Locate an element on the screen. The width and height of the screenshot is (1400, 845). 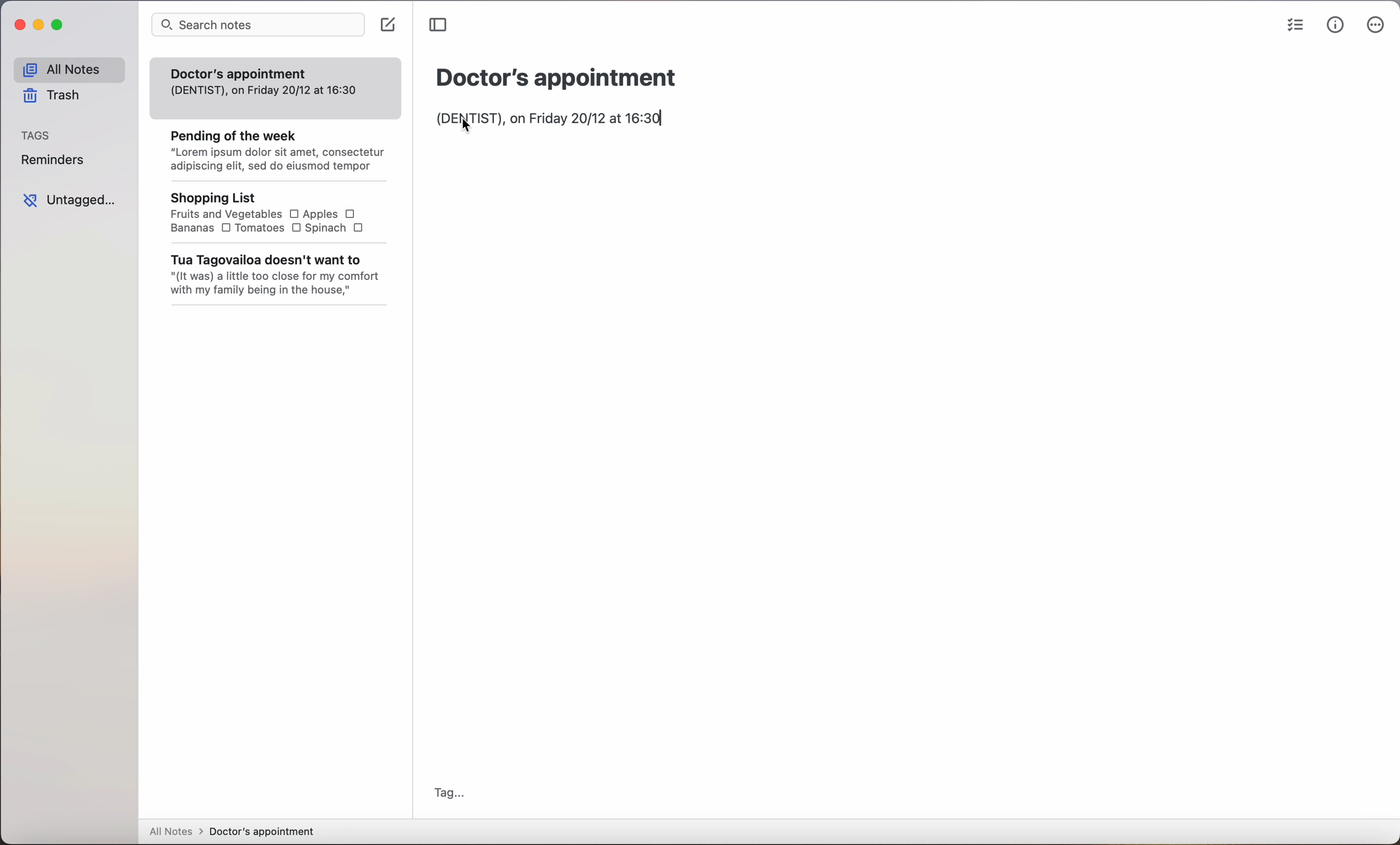
trash is located at coordinates (52, 97).